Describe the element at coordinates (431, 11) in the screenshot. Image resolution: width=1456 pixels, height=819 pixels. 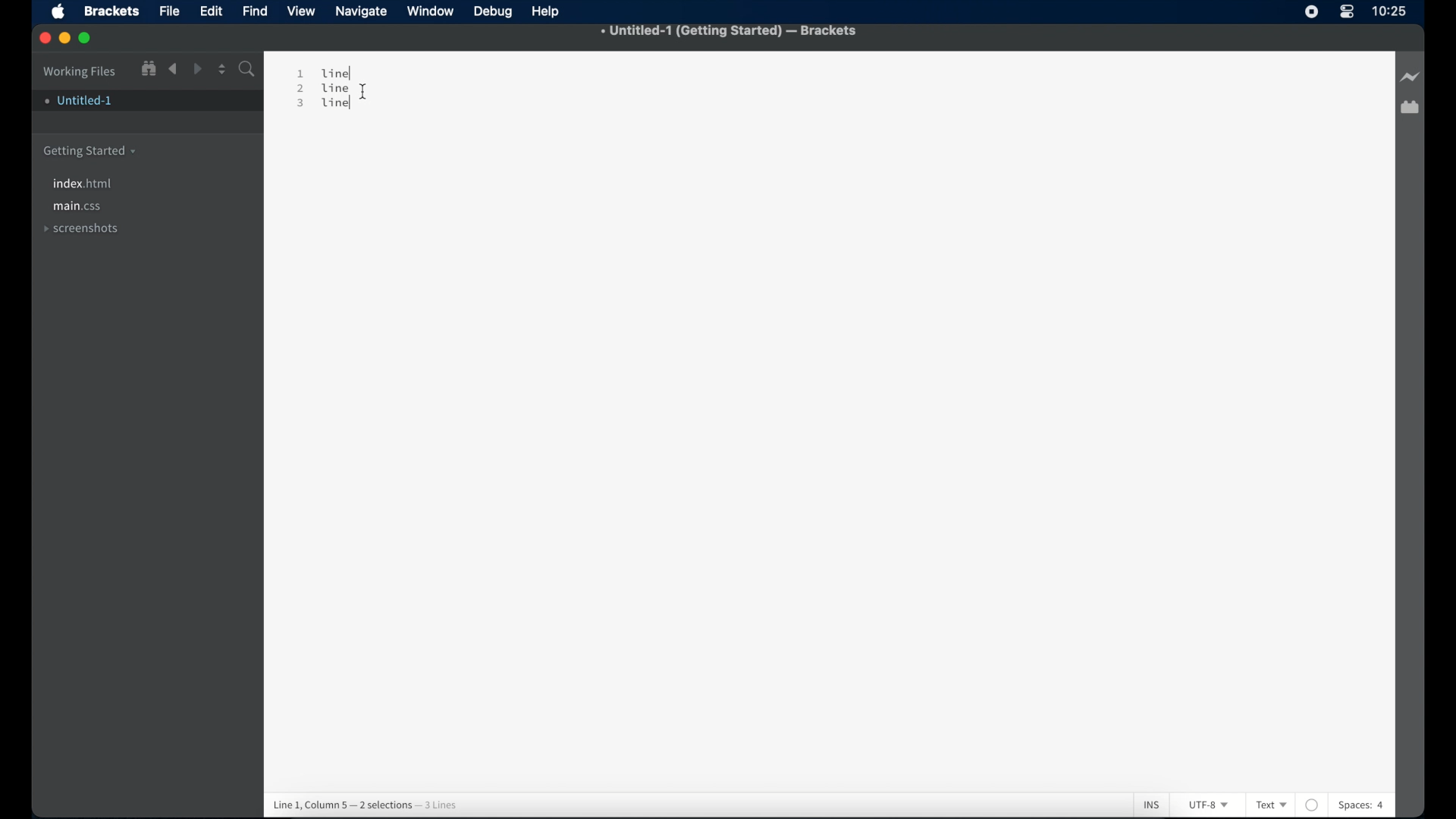
I see `window` at that location.